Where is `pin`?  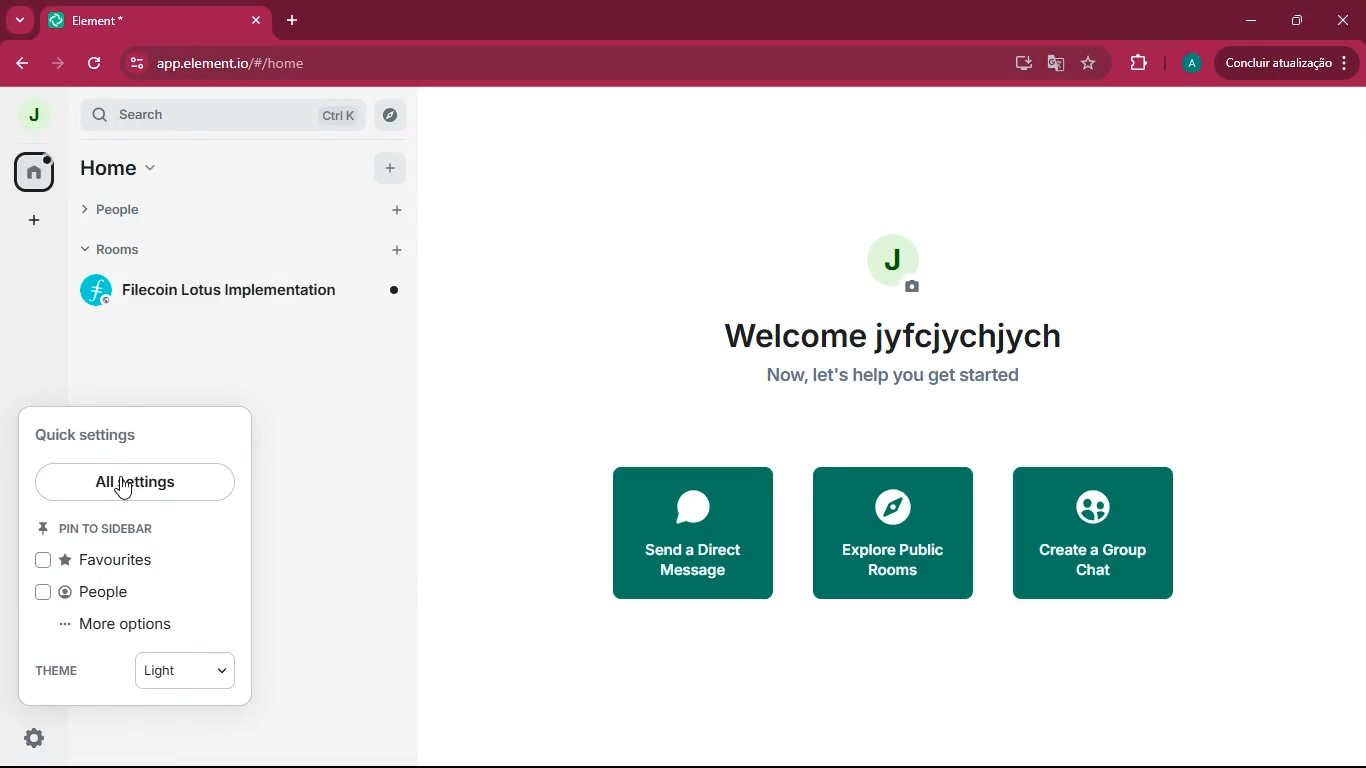
pin is located at coordinates (111, 529).